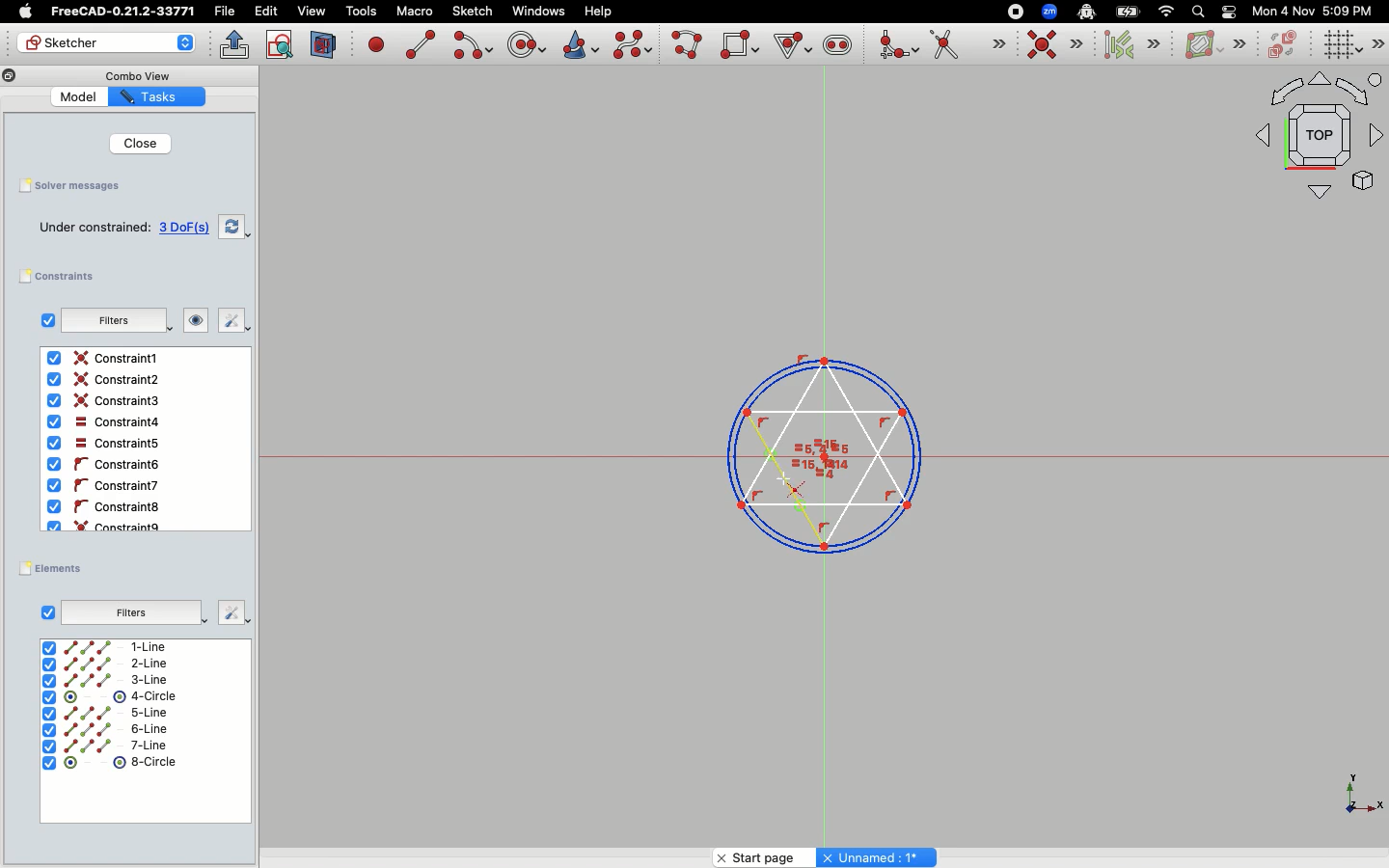 The height and width of the screenshot is (868, 1389). Describe the element at coordinates (413, 12) in the screenshot. I see `Macro` at that location.